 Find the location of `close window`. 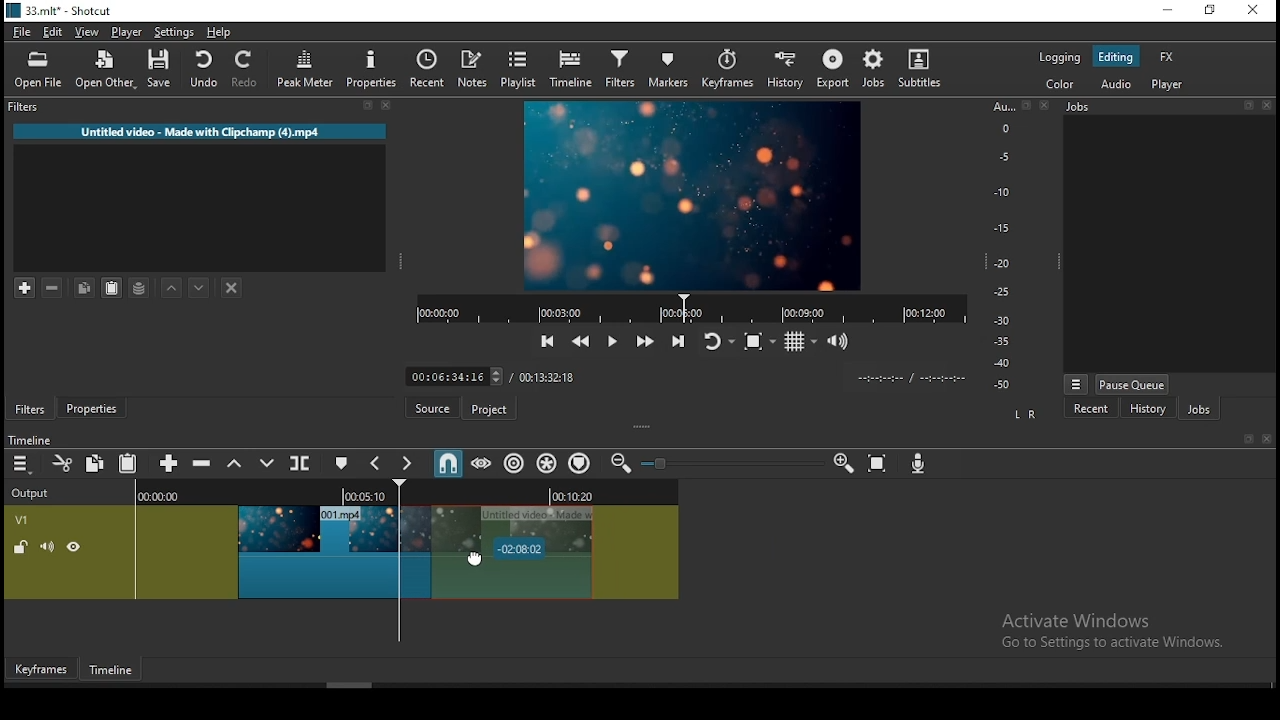

close window is located at coordinates (1252, 11).